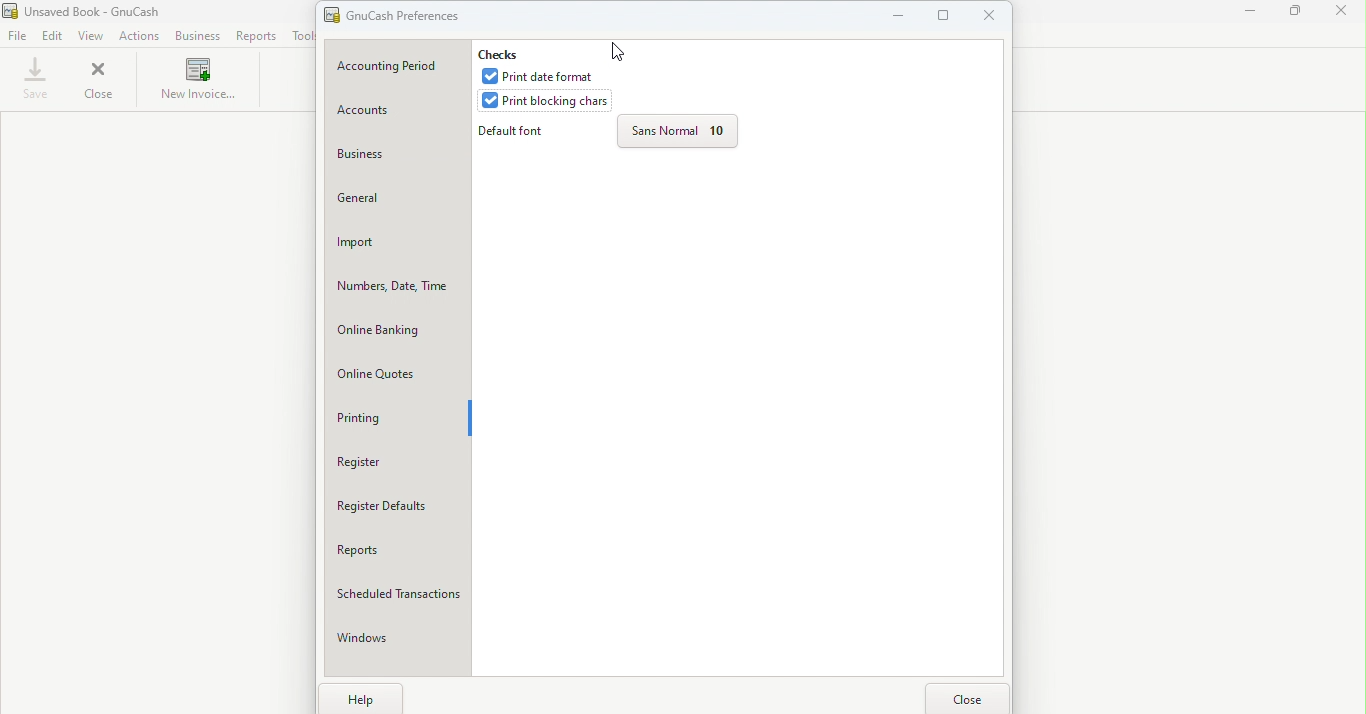 The image size is (1366, 714). What do you see at coordinates (511, 52) in the screenshot?
I see `Checks` at bounding box center [511, 52].